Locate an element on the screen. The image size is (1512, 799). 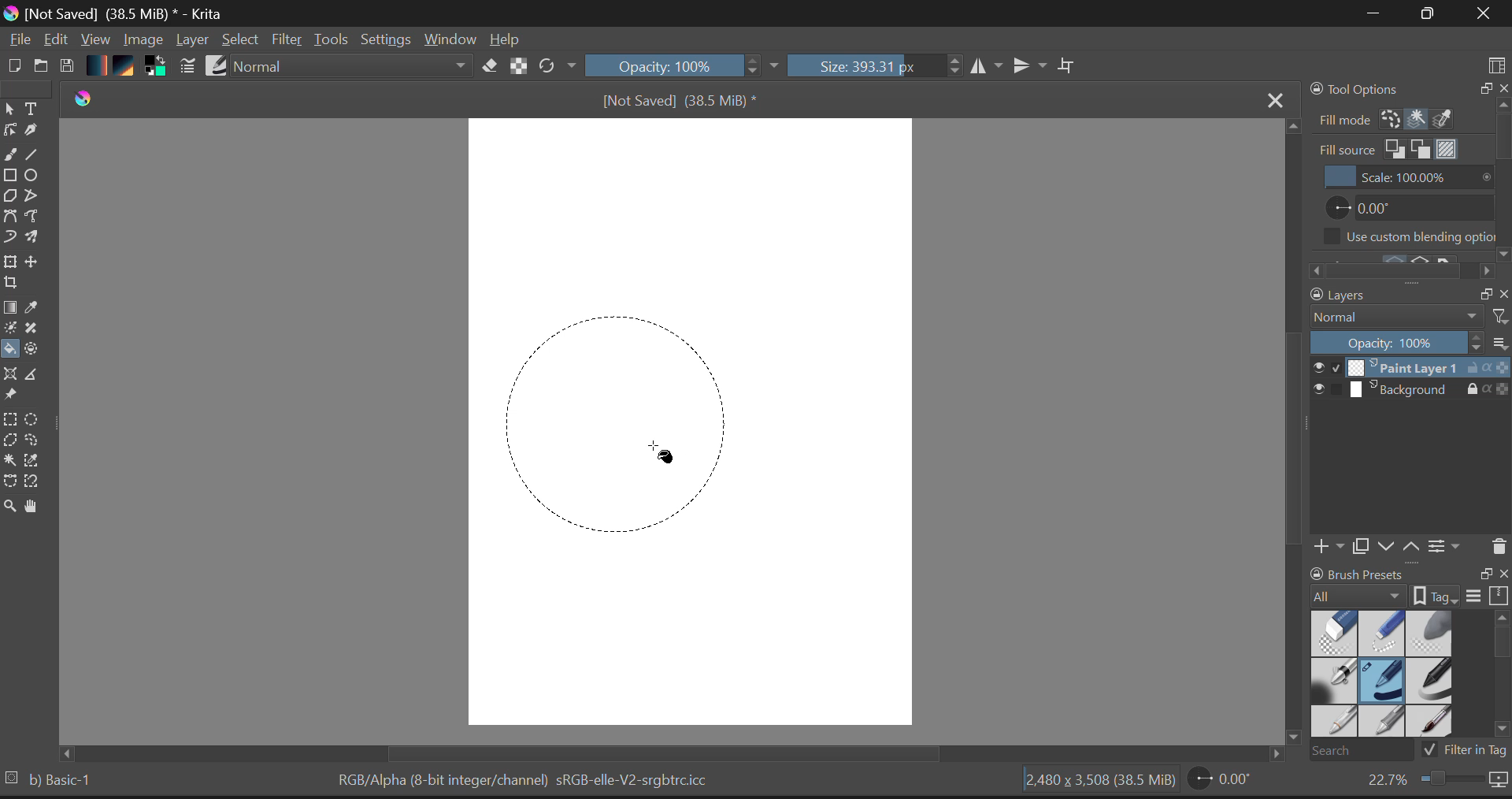
Horizontal Mirror Flip is located at coordinates (1033, 67).